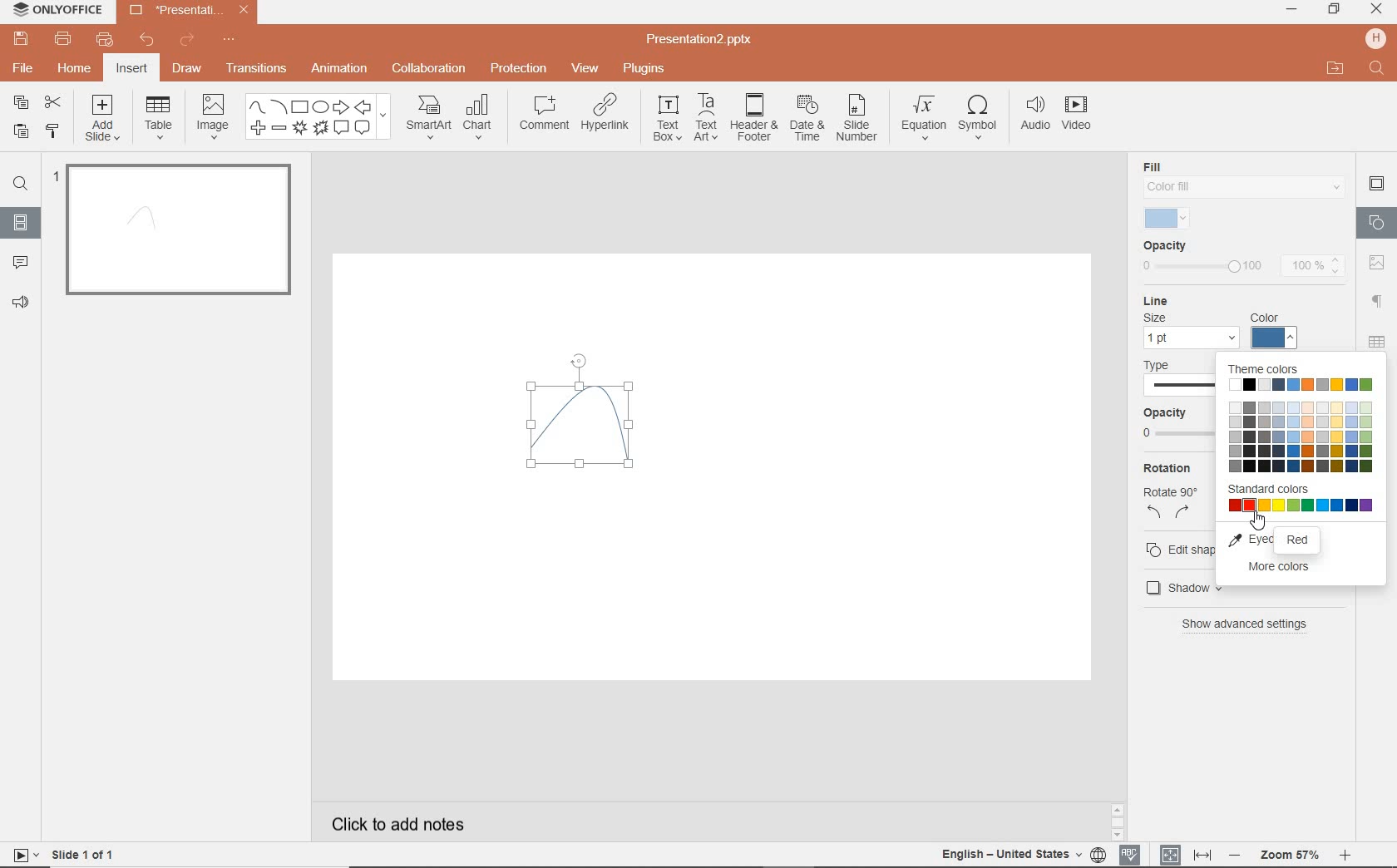 Image resolution: width=1397 pixels, height=868 pixels. I want to click on SHAPE SETTINGS, so click(1378, 223).